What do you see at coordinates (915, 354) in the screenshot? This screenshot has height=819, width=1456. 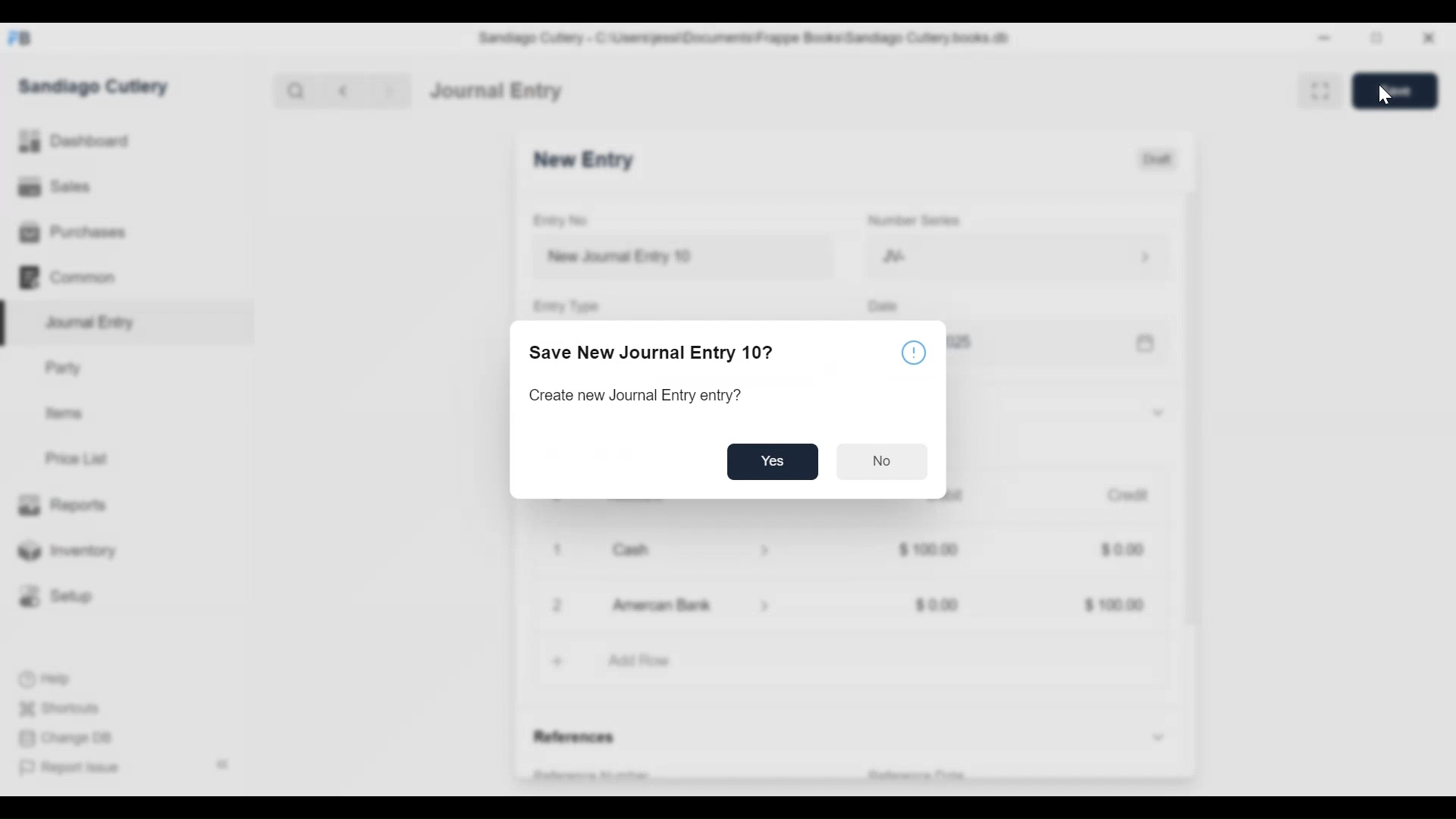 I see `information` at bounding box center [915, 354].